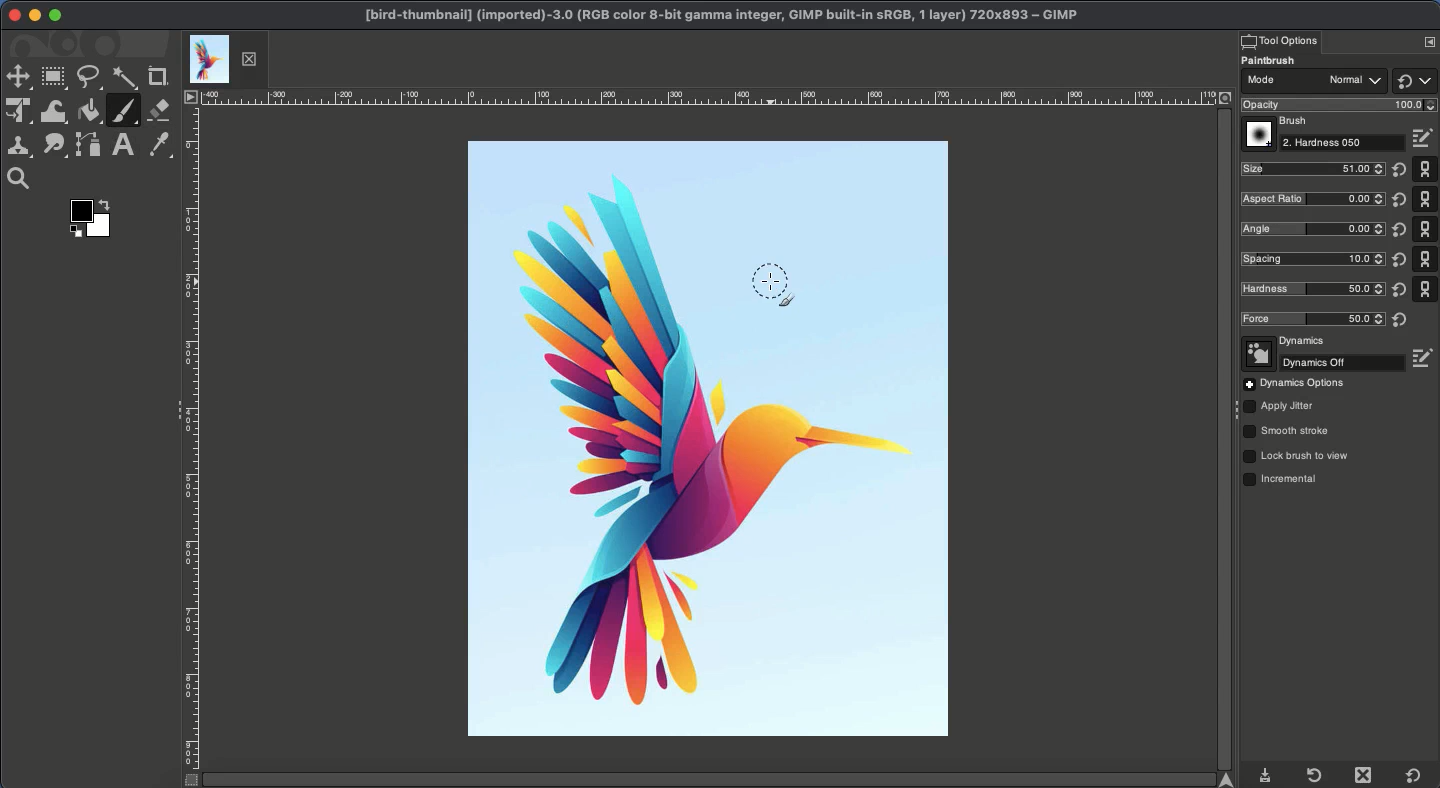 Image resolution: width=1440 pixels, height=788 pixels. Describe the element at coordinates (1266, 777) in the screenshot. I see `Download` at that location.